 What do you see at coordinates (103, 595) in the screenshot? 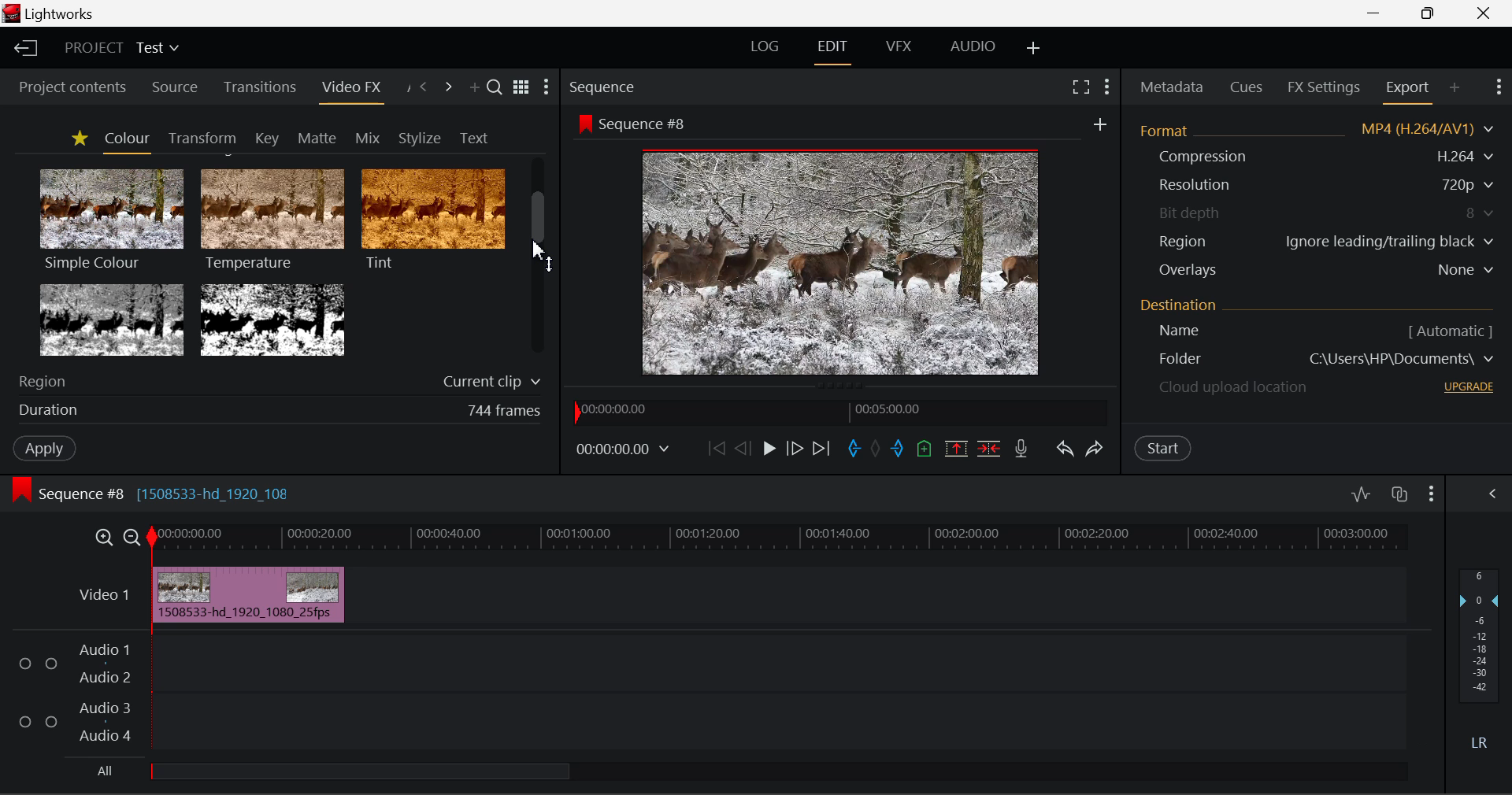
I see `Video 1` at bounding box center [103, 595].